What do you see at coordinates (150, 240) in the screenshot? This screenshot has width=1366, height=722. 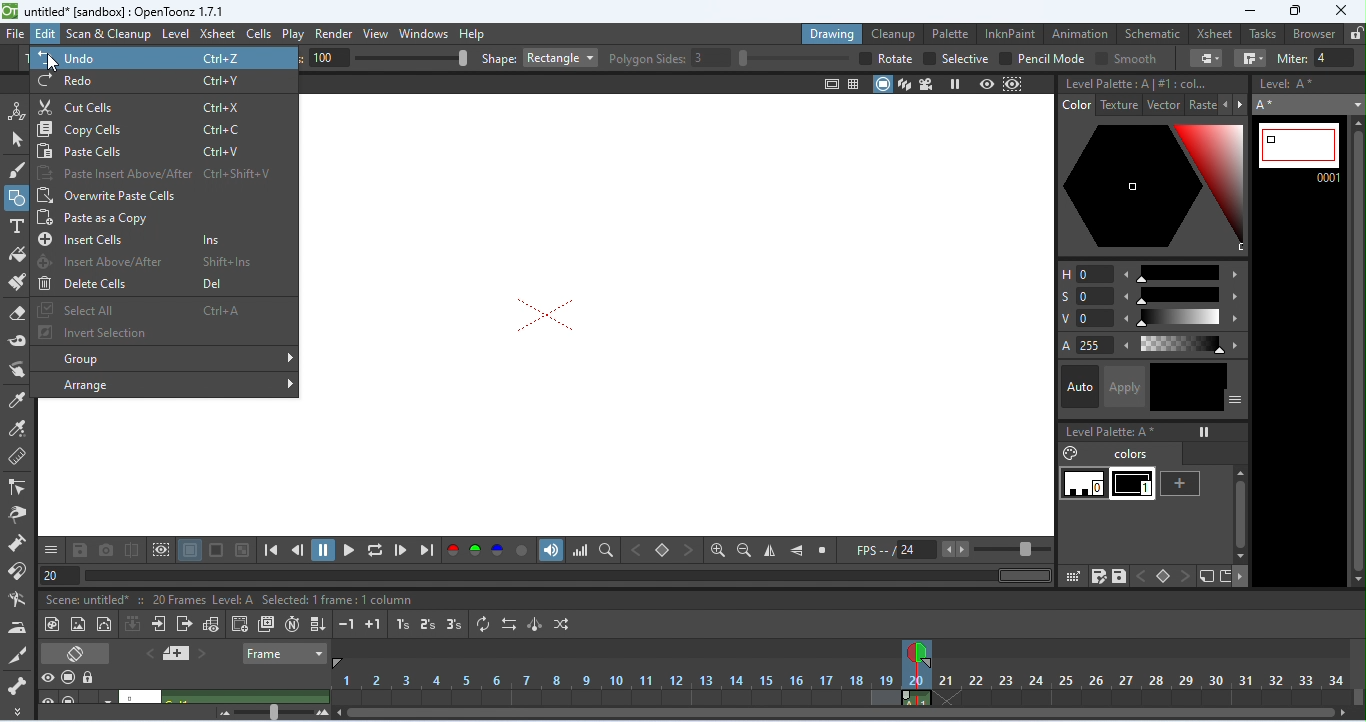 I see `insert cells` at bounding box center [150, 240].